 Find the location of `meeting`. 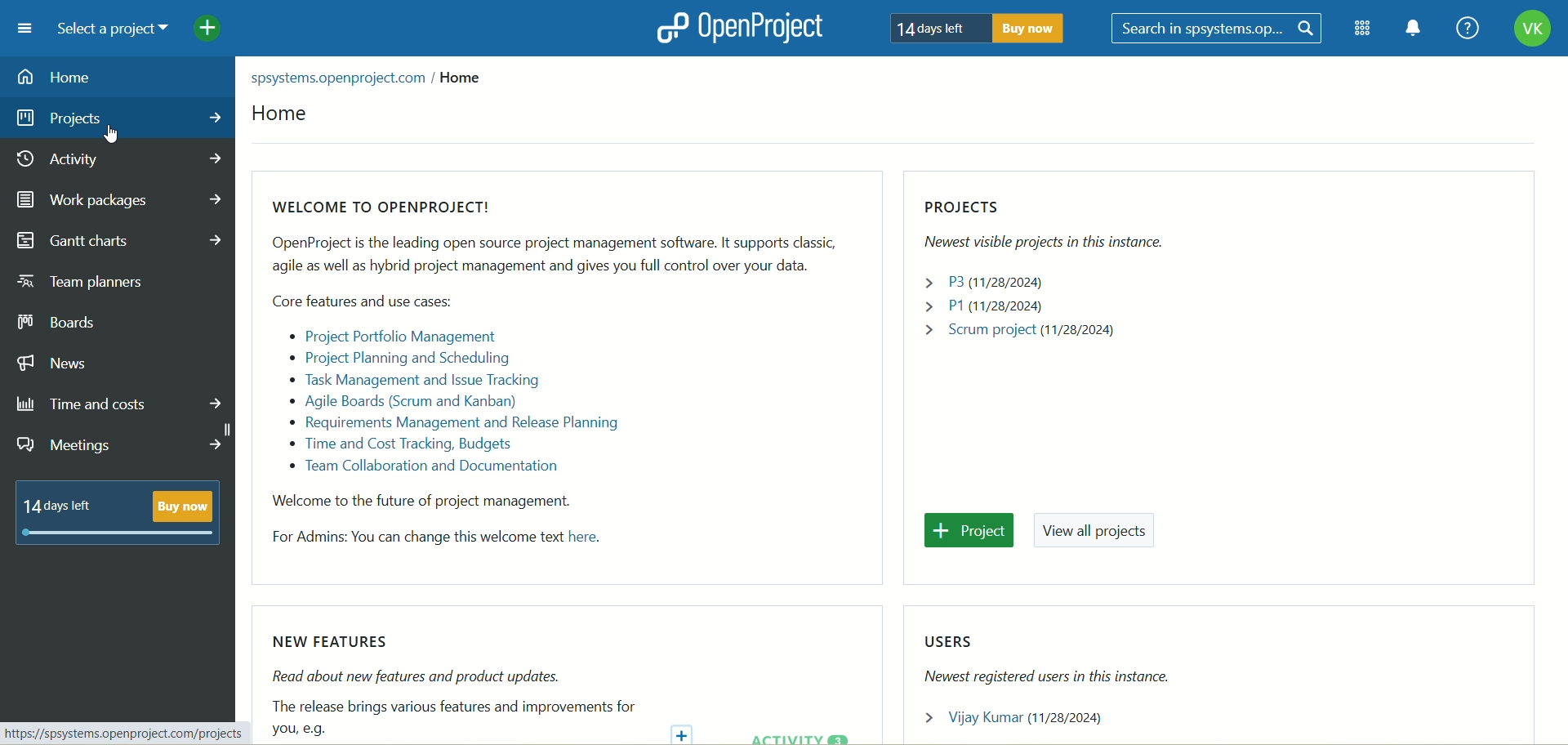

meeting is located at coordinates (115, 442).